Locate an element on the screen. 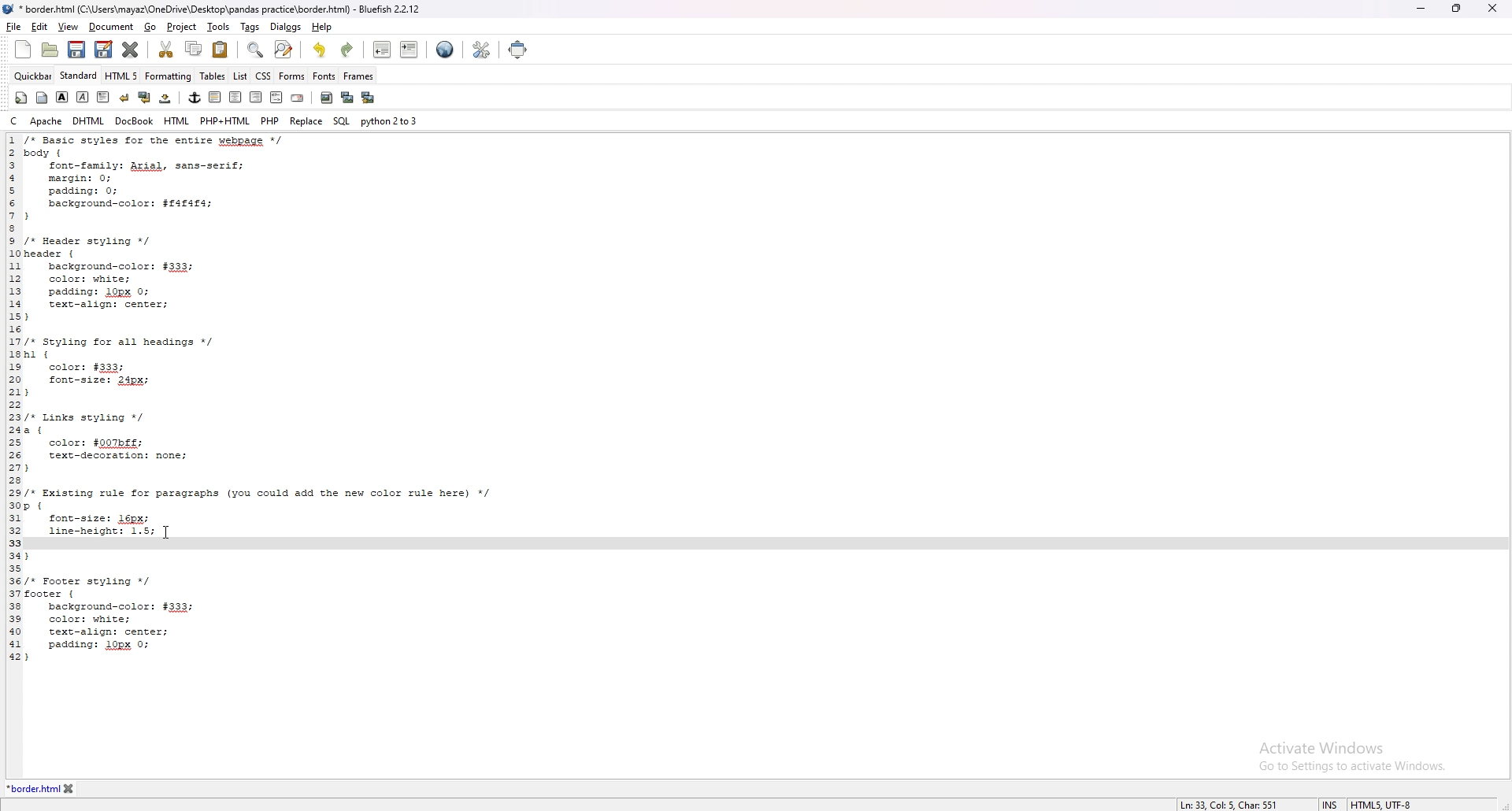 The width and height of the screenshot is (1512, 811). css is located at coordinates (263, 76).